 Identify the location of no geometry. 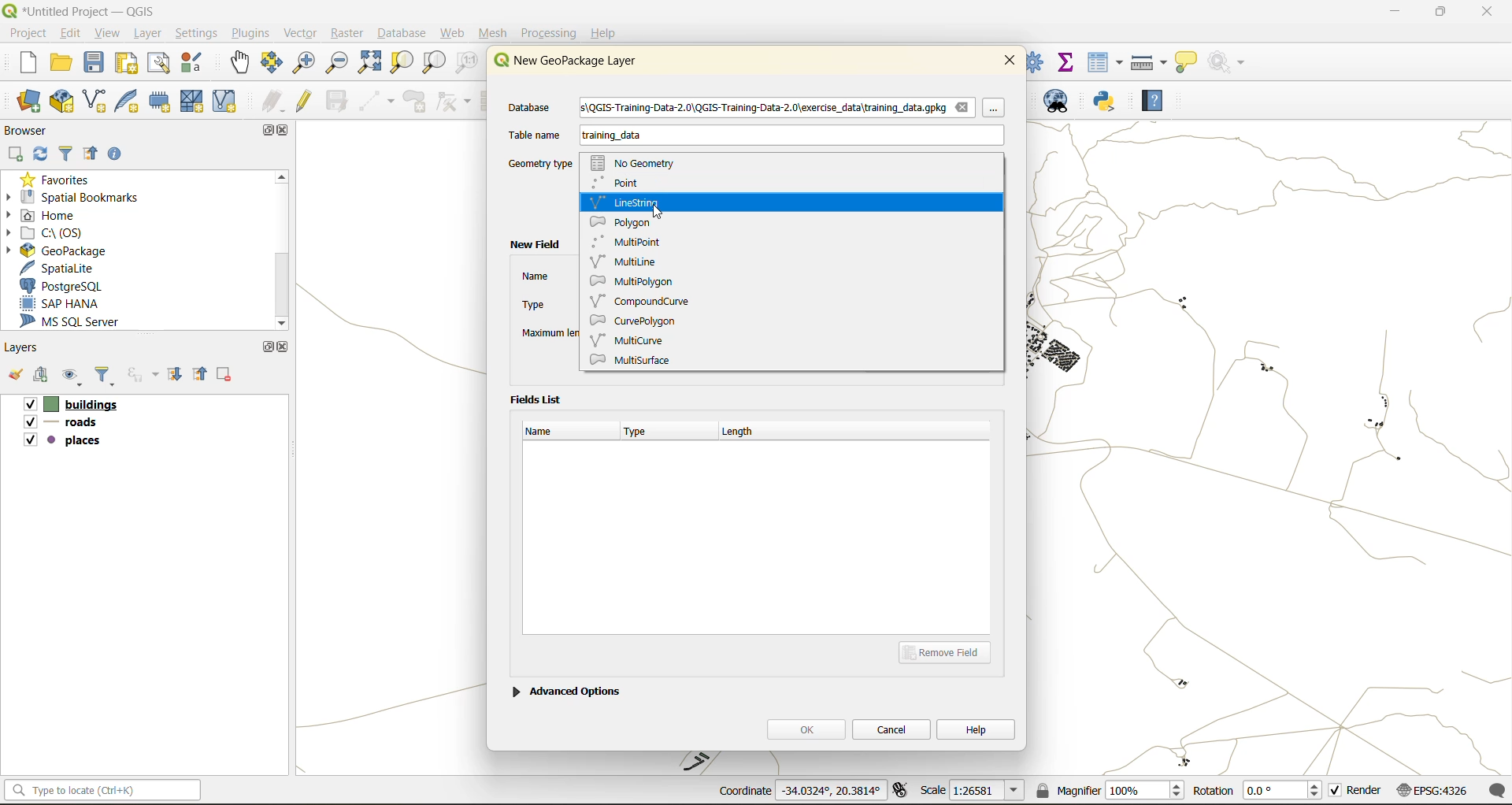
(640, 161).